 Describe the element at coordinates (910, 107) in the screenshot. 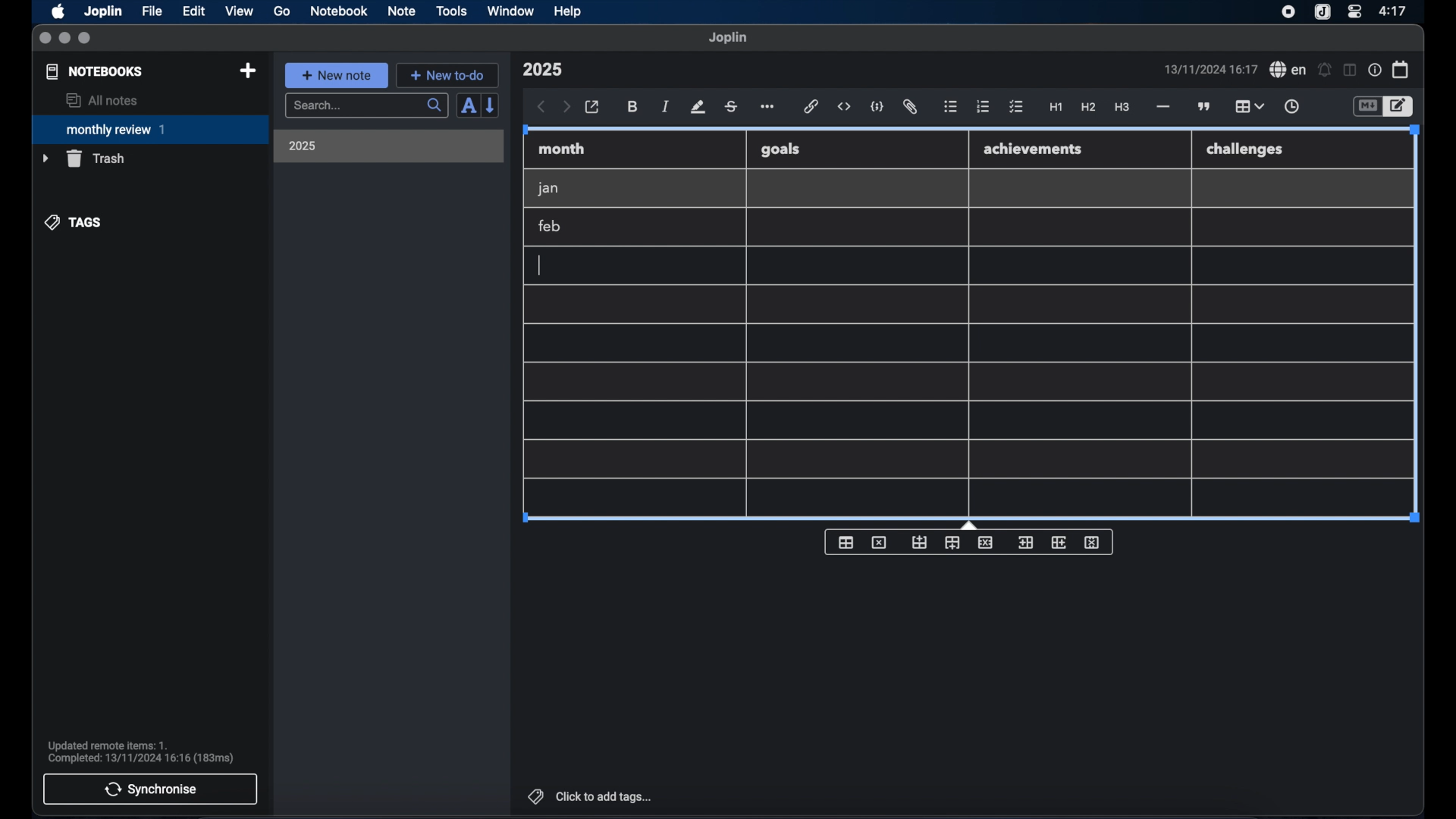

I see `attach file` at that location.